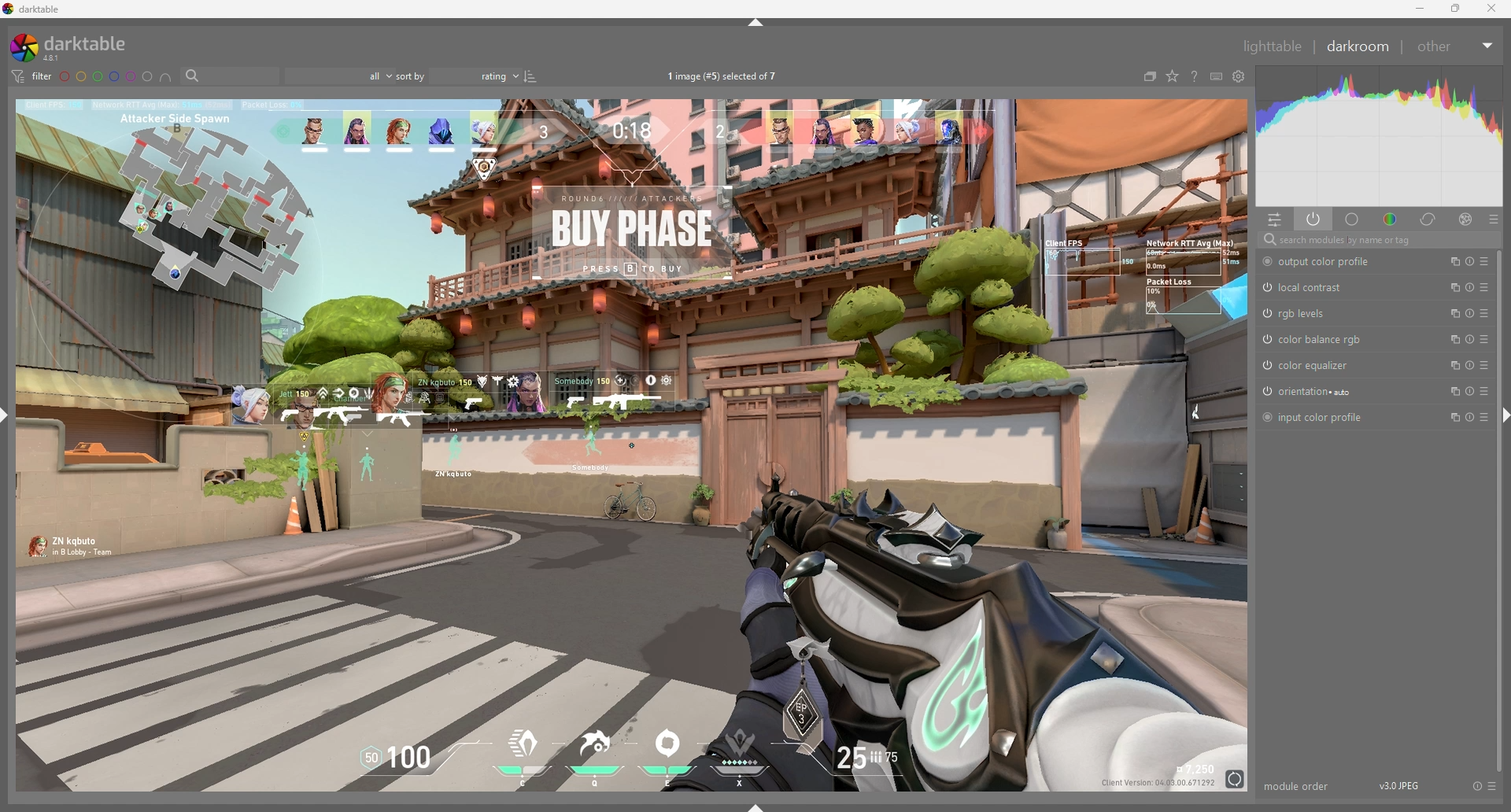 Image resolution: width=1511 pixels, height=812 pixels. What do you see at coordinates (1275, 220) in the screenshot?
I see `quick access panel` at bounding box center [1275, 220].